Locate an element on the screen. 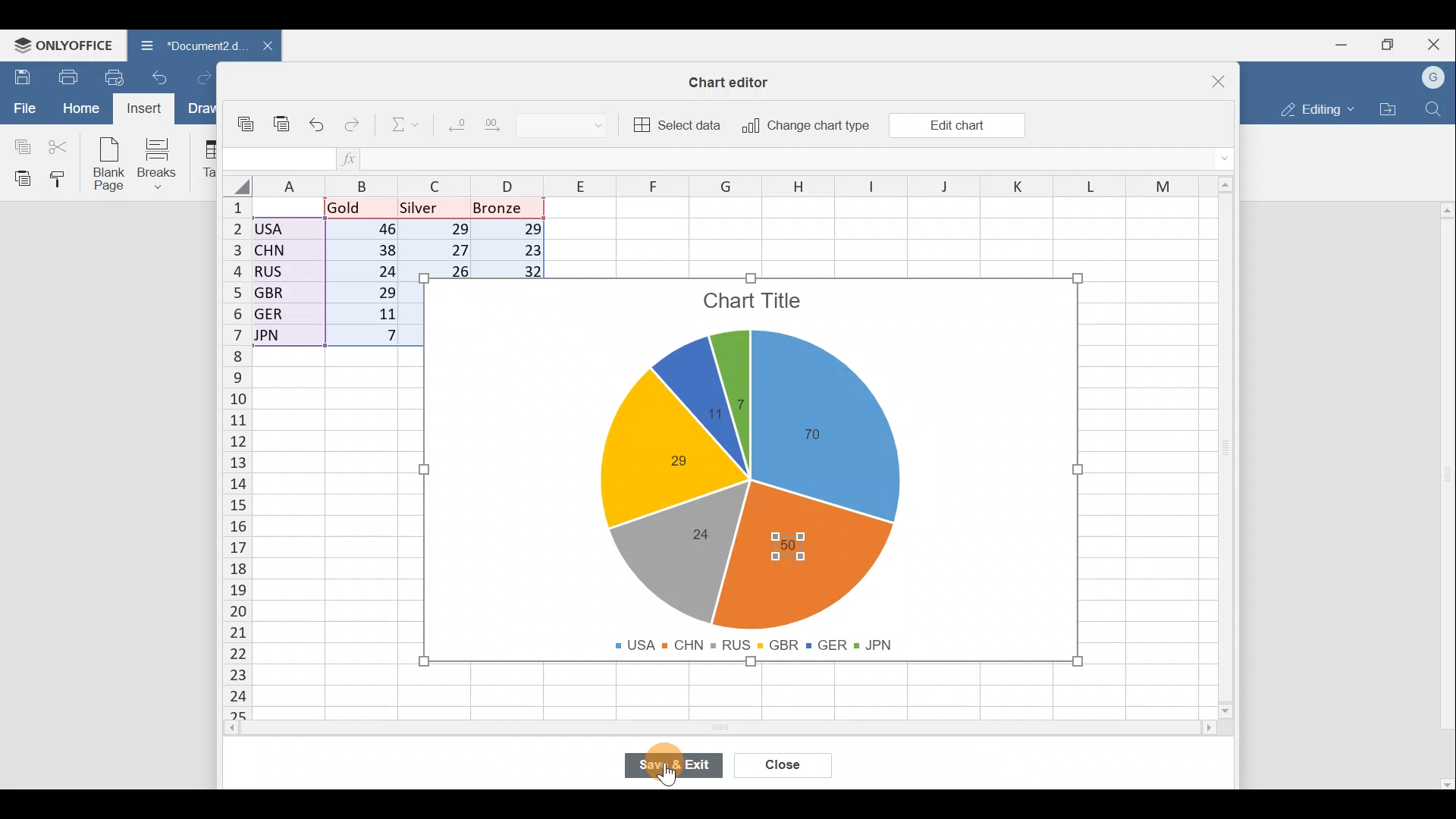 Image resolution: width=1456 pixels, height=819 pixels. Formula bar is located at coordinates (804, 158).